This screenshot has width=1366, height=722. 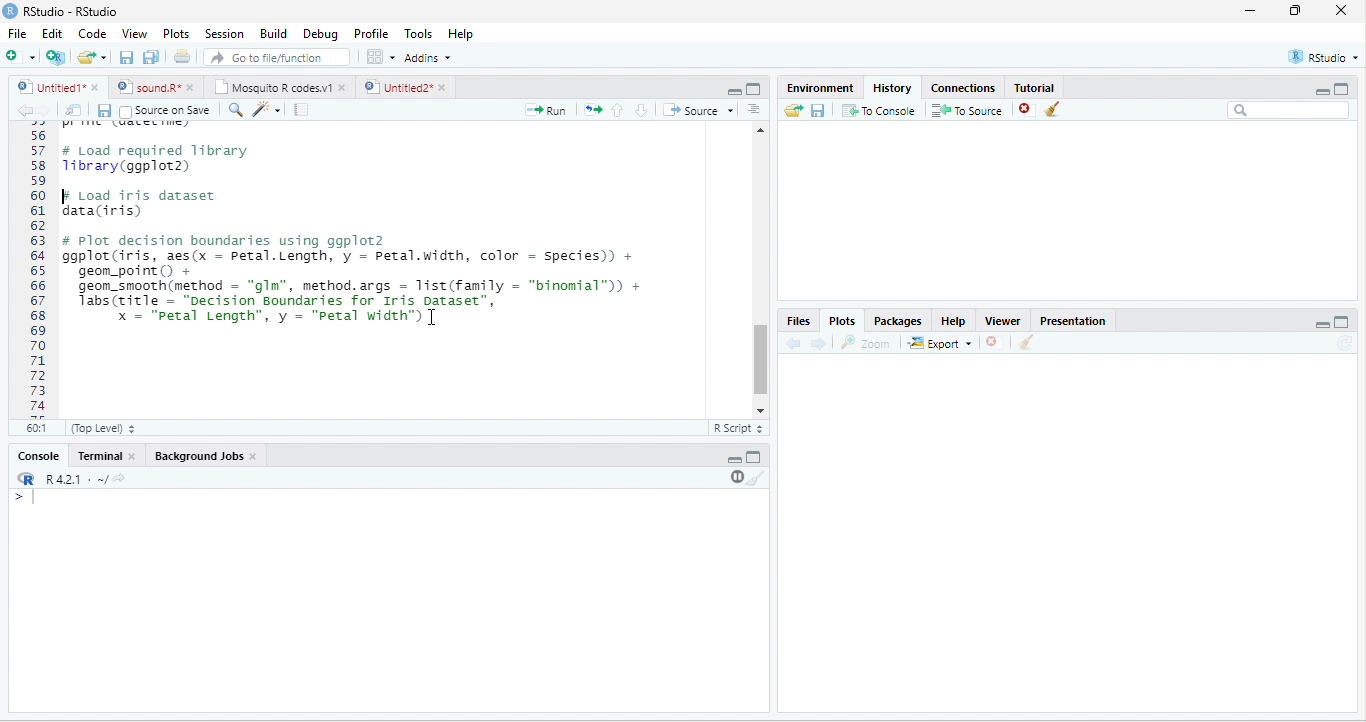 What do you see at coordinates (1052, 109) in the screenshot?
I see `clear` at bounding box center [1052, 109].